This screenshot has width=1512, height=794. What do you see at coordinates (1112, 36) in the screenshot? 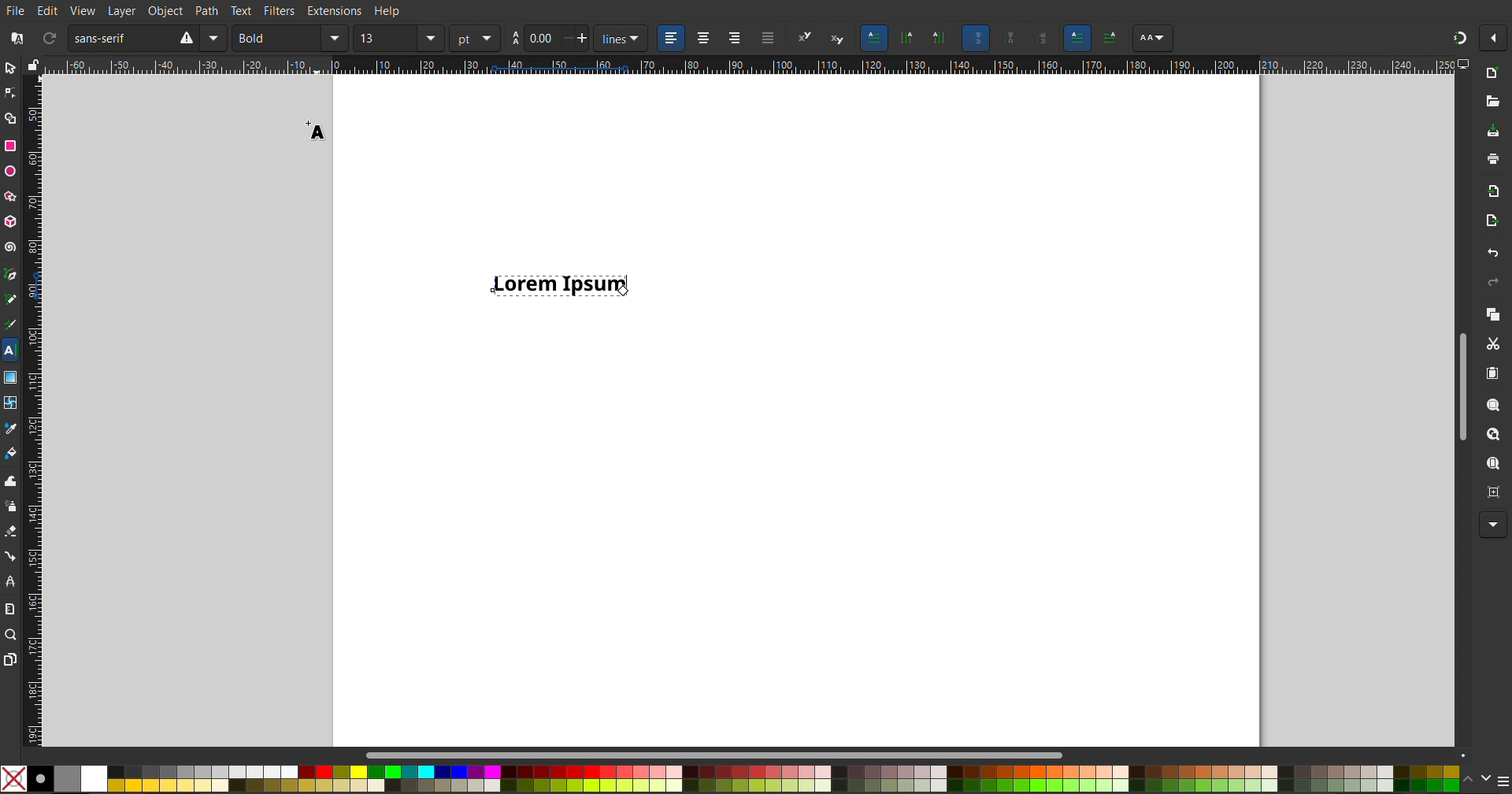
I see `Right to left text` at bounding box center [1112, 36].